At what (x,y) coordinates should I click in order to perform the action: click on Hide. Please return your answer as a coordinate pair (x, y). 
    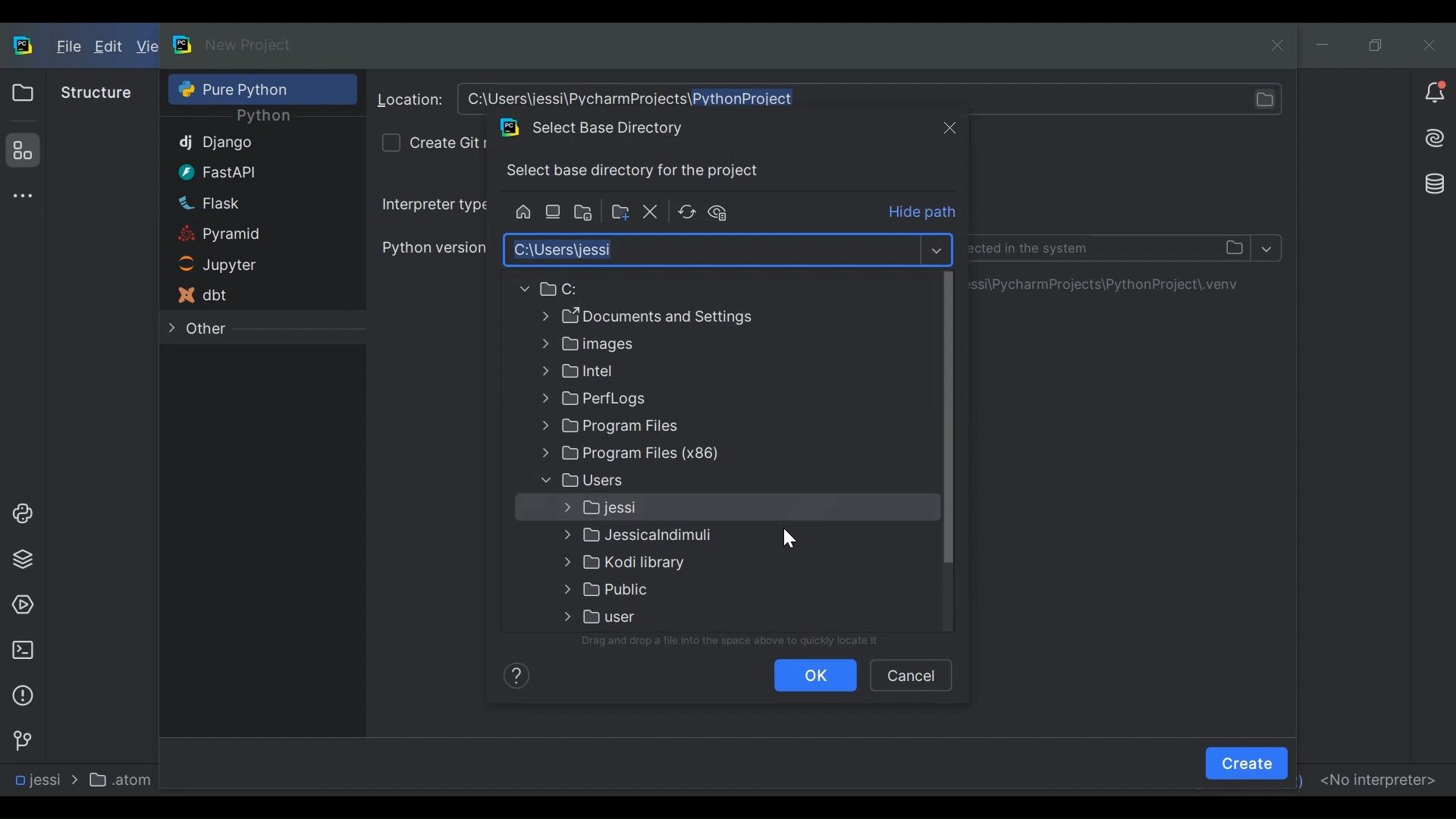
    Looking at the image, I should click on (723, 212).